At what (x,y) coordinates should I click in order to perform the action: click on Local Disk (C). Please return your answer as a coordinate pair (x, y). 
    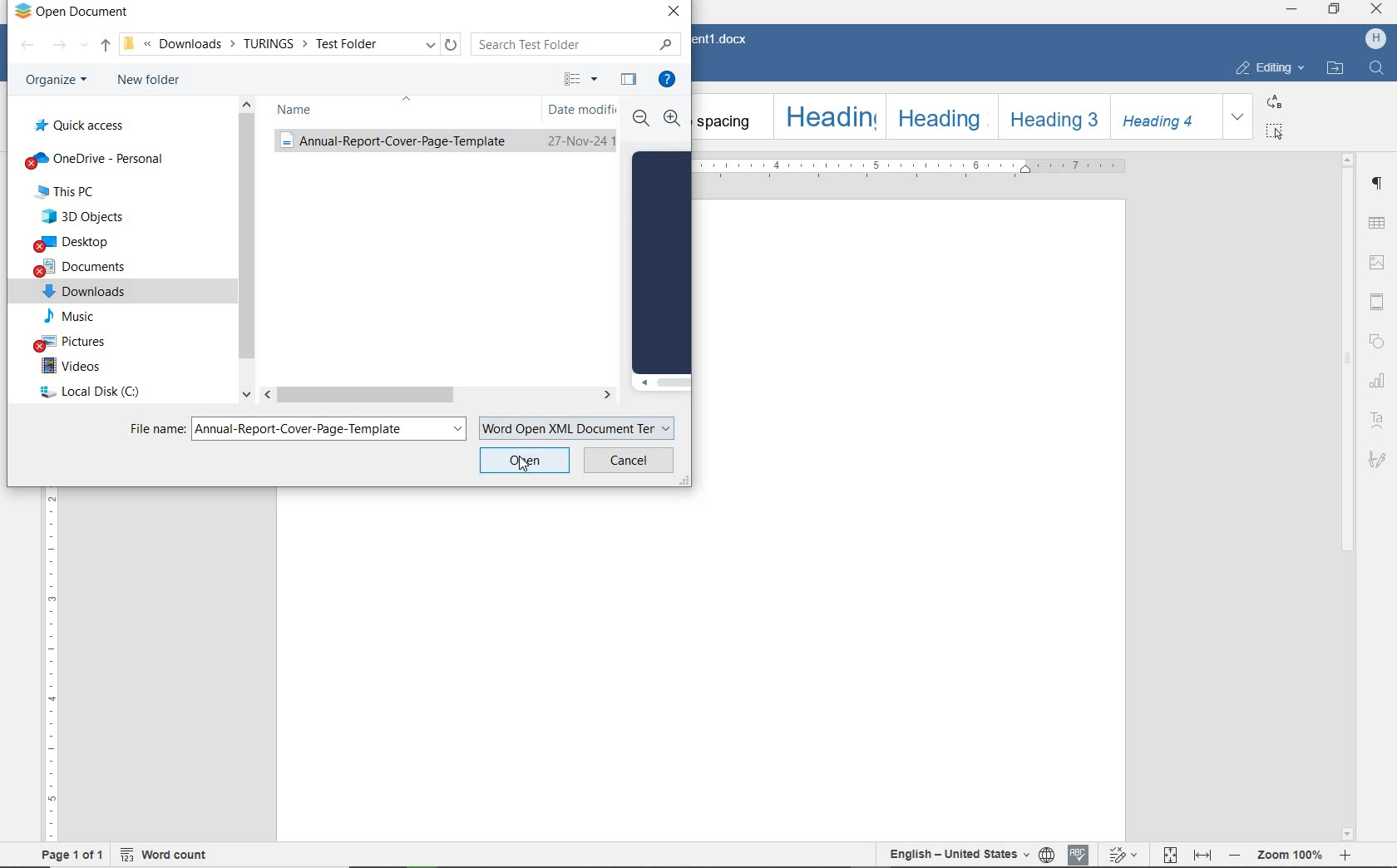
    Looking at the image, I should click on (80, 394).